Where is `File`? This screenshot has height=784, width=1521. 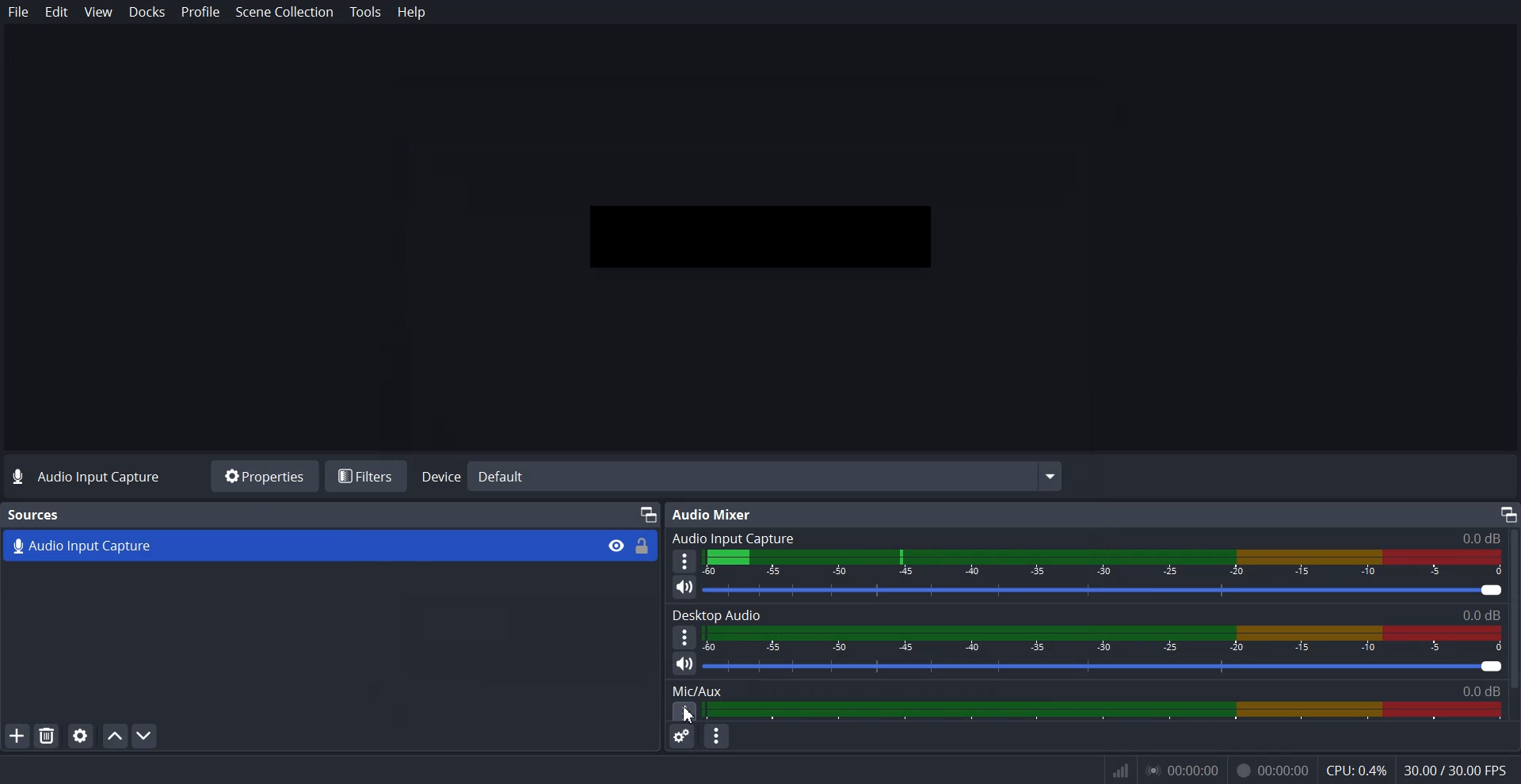 File is located at coordinates (19, 12).